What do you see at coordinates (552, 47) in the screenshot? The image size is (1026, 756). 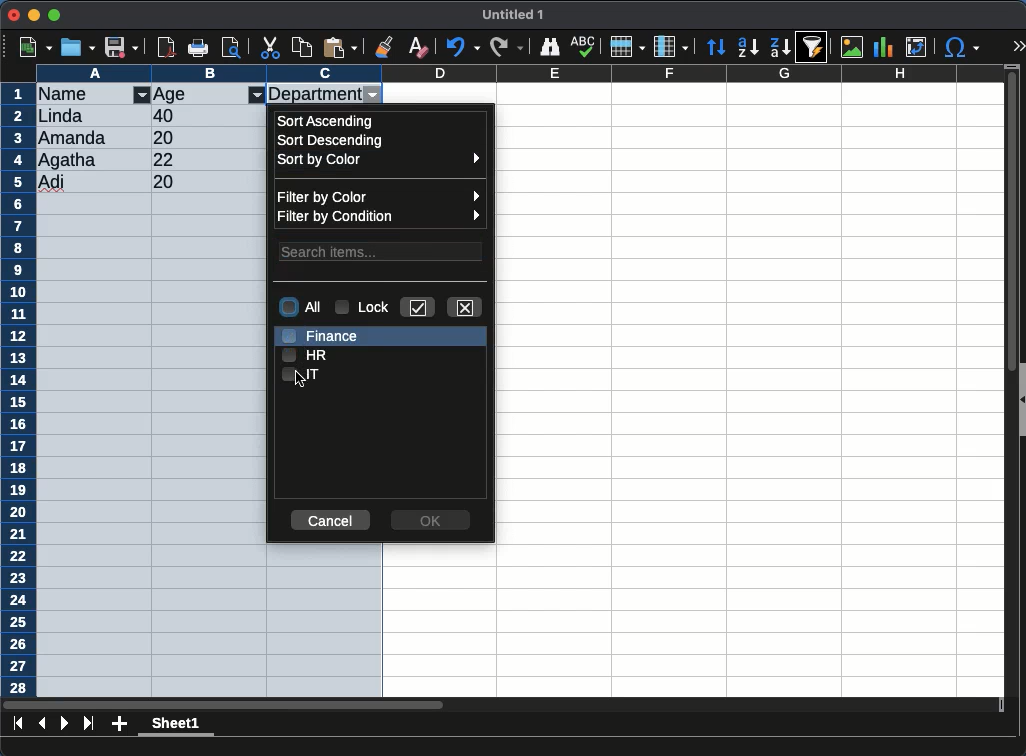 I see `finder` at bounding box center [552, 47].